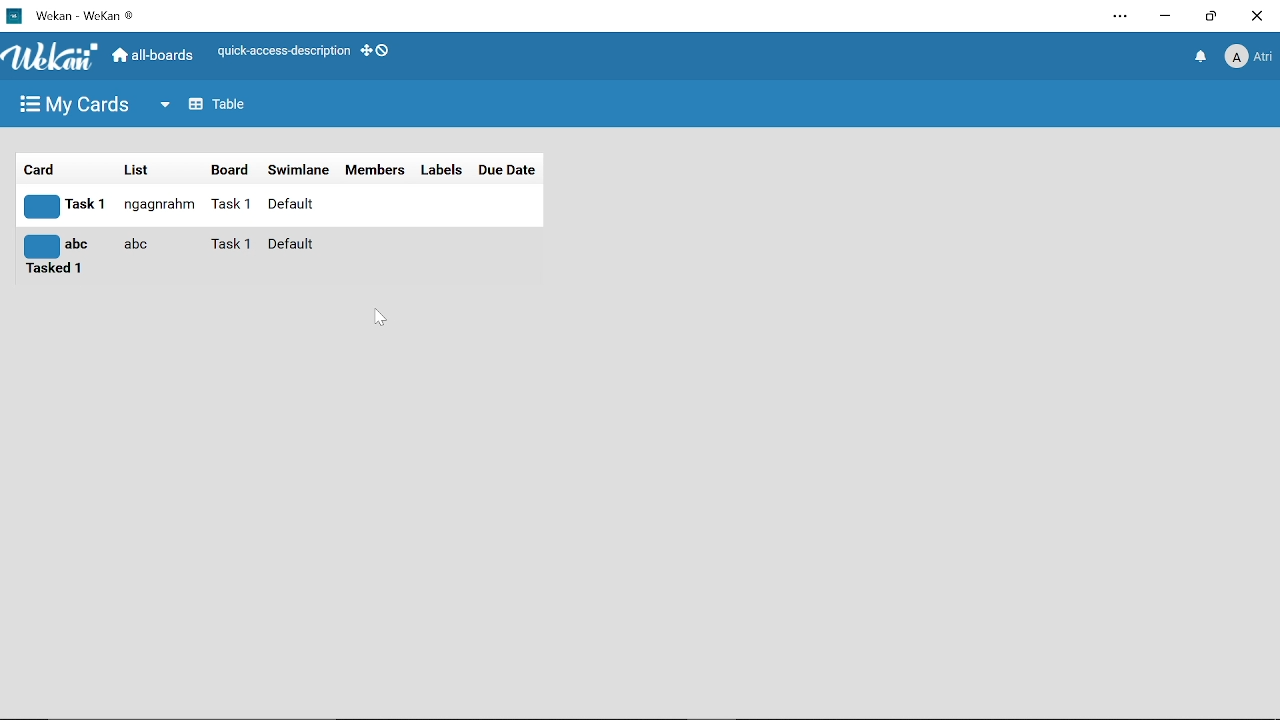 The width and height of the screenshot is (1280, 720). I want to click on Table, so click(220, 103).